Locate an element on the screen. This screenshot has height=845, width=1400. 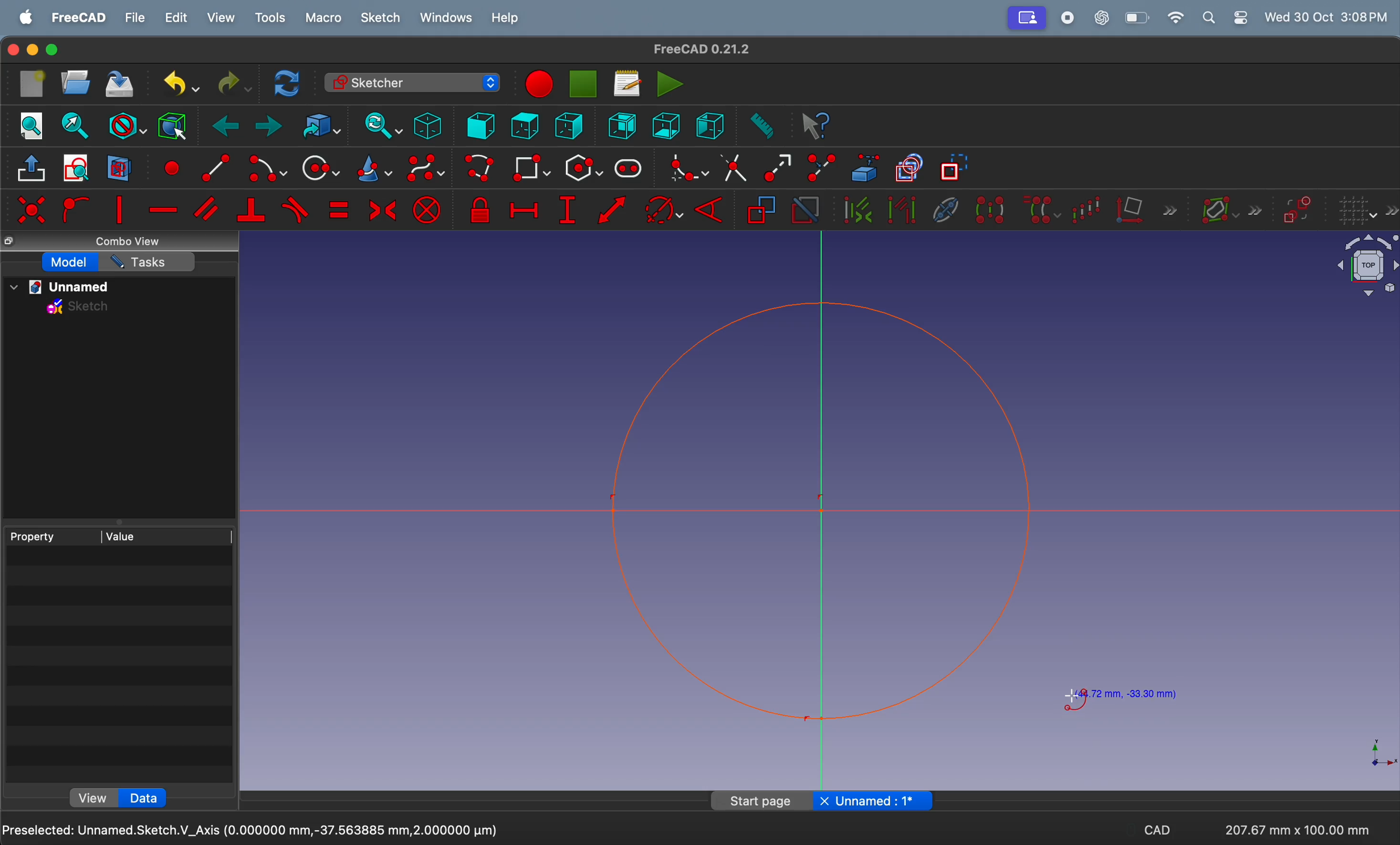
model task is located at coordinates (69, 261).